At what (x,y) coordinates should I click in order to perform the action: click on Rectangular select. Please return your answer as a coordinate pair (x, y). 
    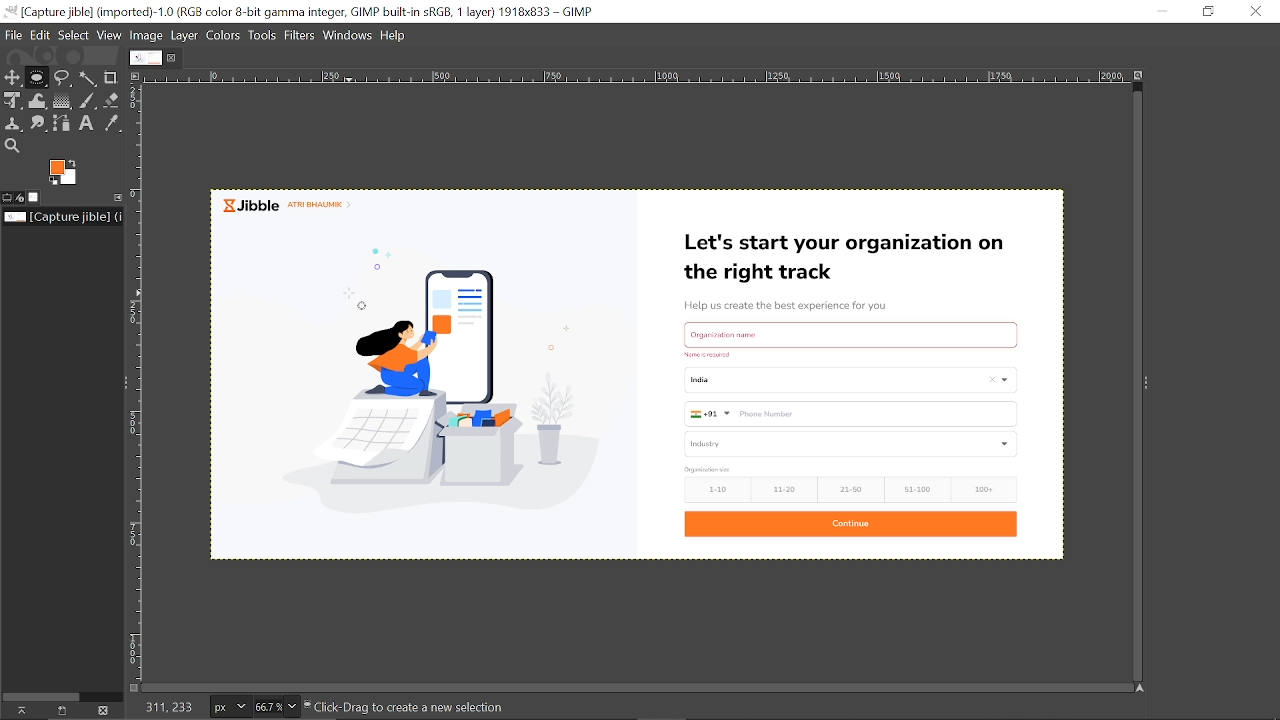
    Looking at the image, I should click on (36, 81).